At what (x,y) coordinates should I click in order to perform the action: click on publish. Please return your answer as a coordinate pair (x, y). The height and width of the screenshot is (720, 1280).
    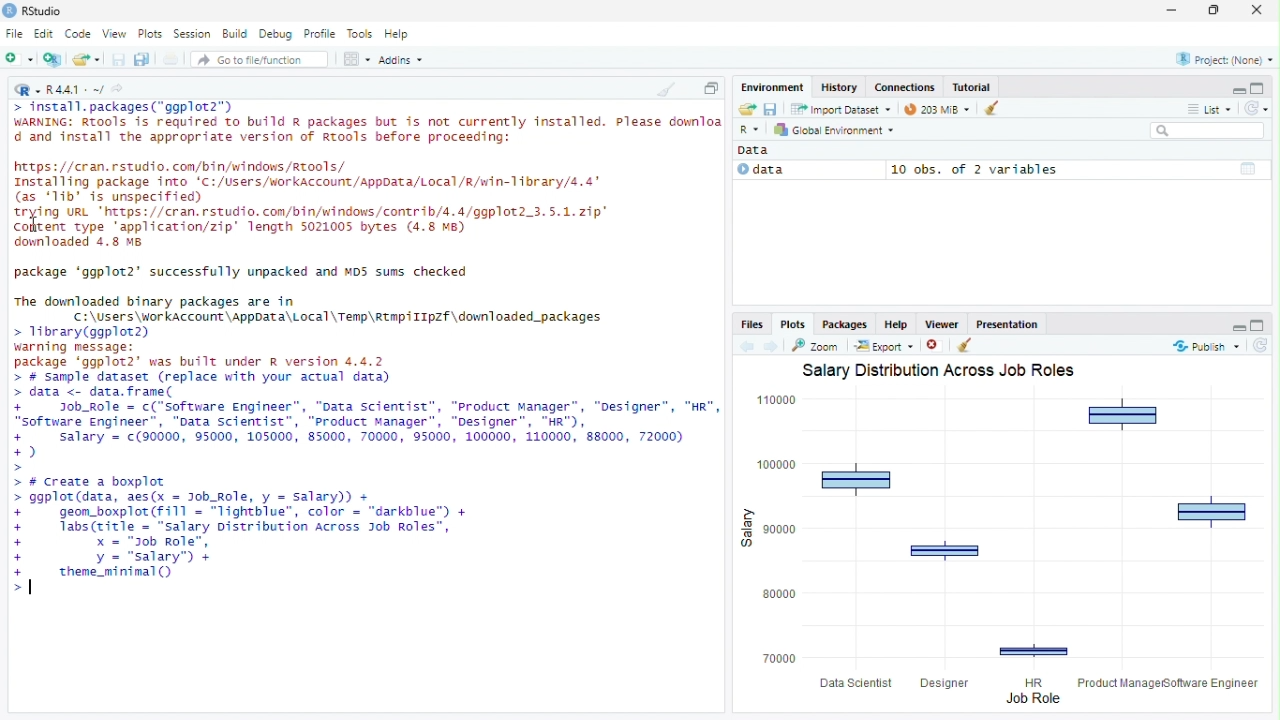
    Looking at the image, I should click on (1202, 346).